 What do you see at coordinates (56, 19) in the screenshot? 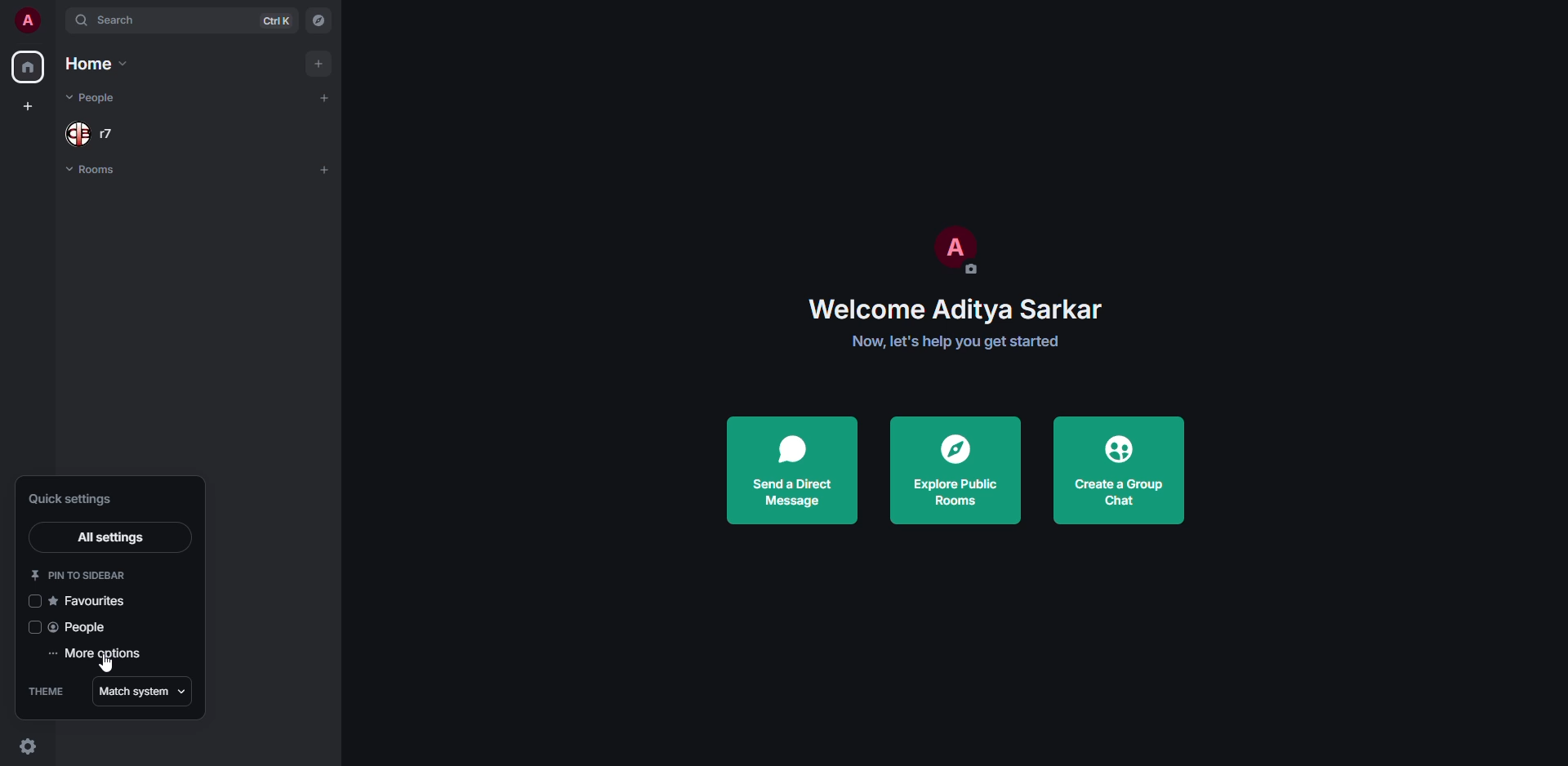
I see `expand` at bounding box center [56, 19].